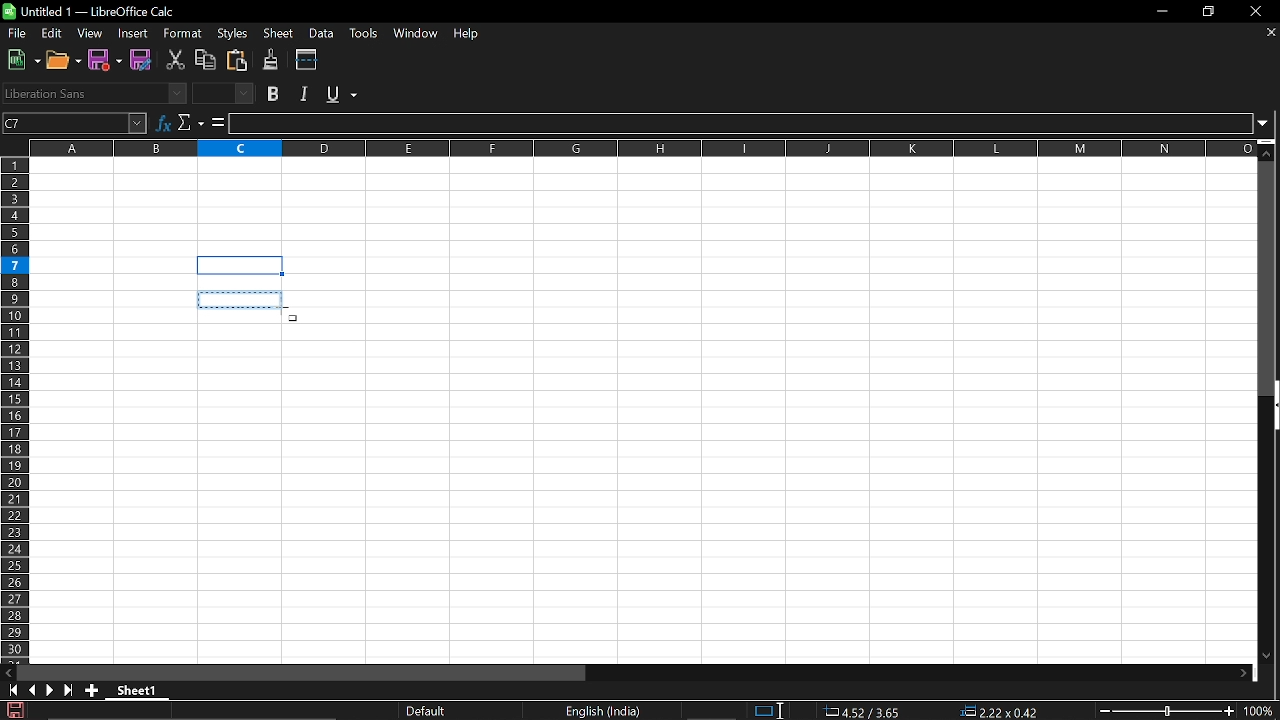  What do you see at coordinates (270, 60) in the screenshot?
I see `Clone formating` at bounding box center [270, 60].